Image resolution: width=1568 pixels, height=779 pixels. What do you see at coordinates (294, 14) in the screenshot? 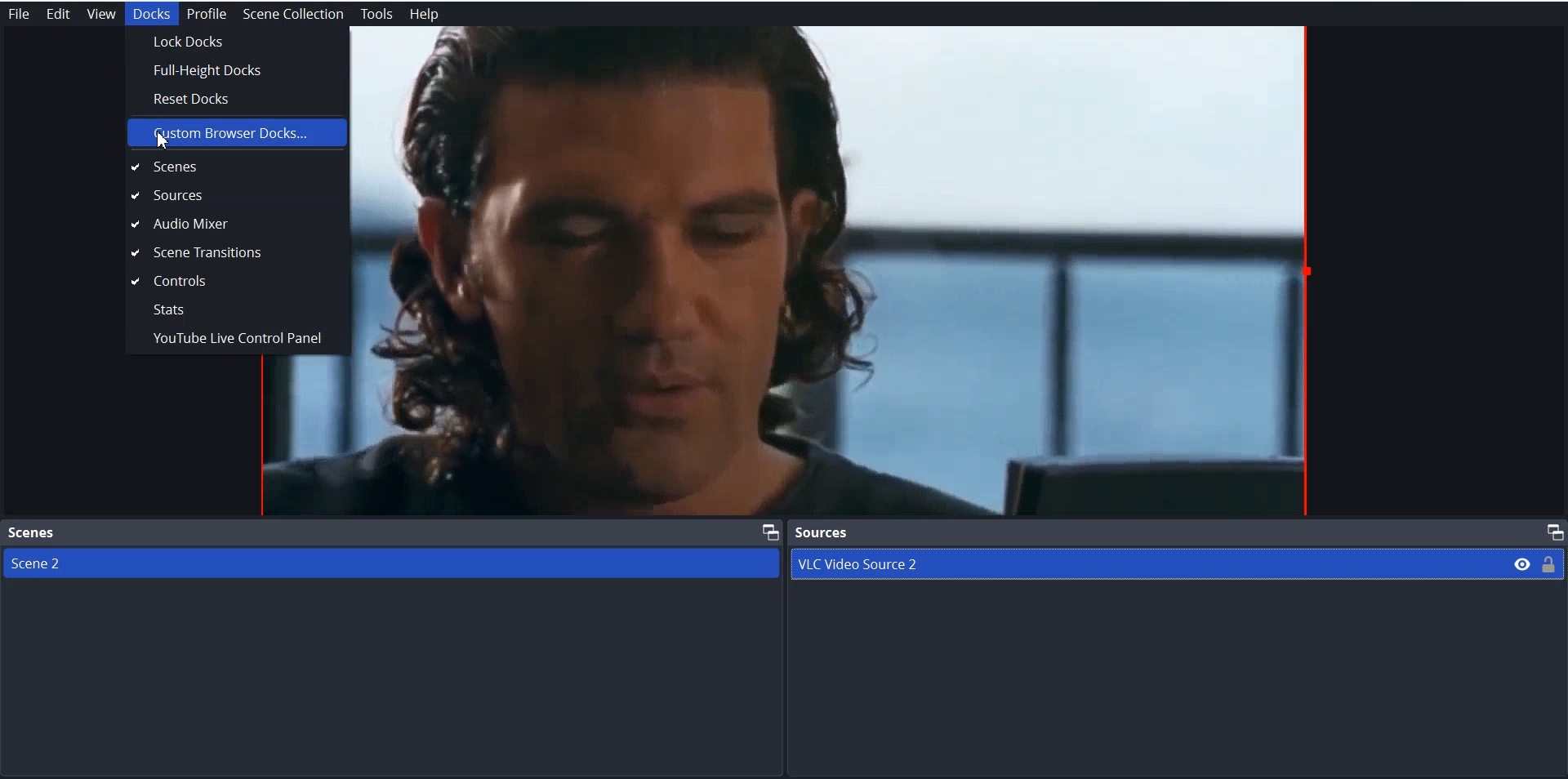
I see `Scene Collection` at bounding box center [294, 14].